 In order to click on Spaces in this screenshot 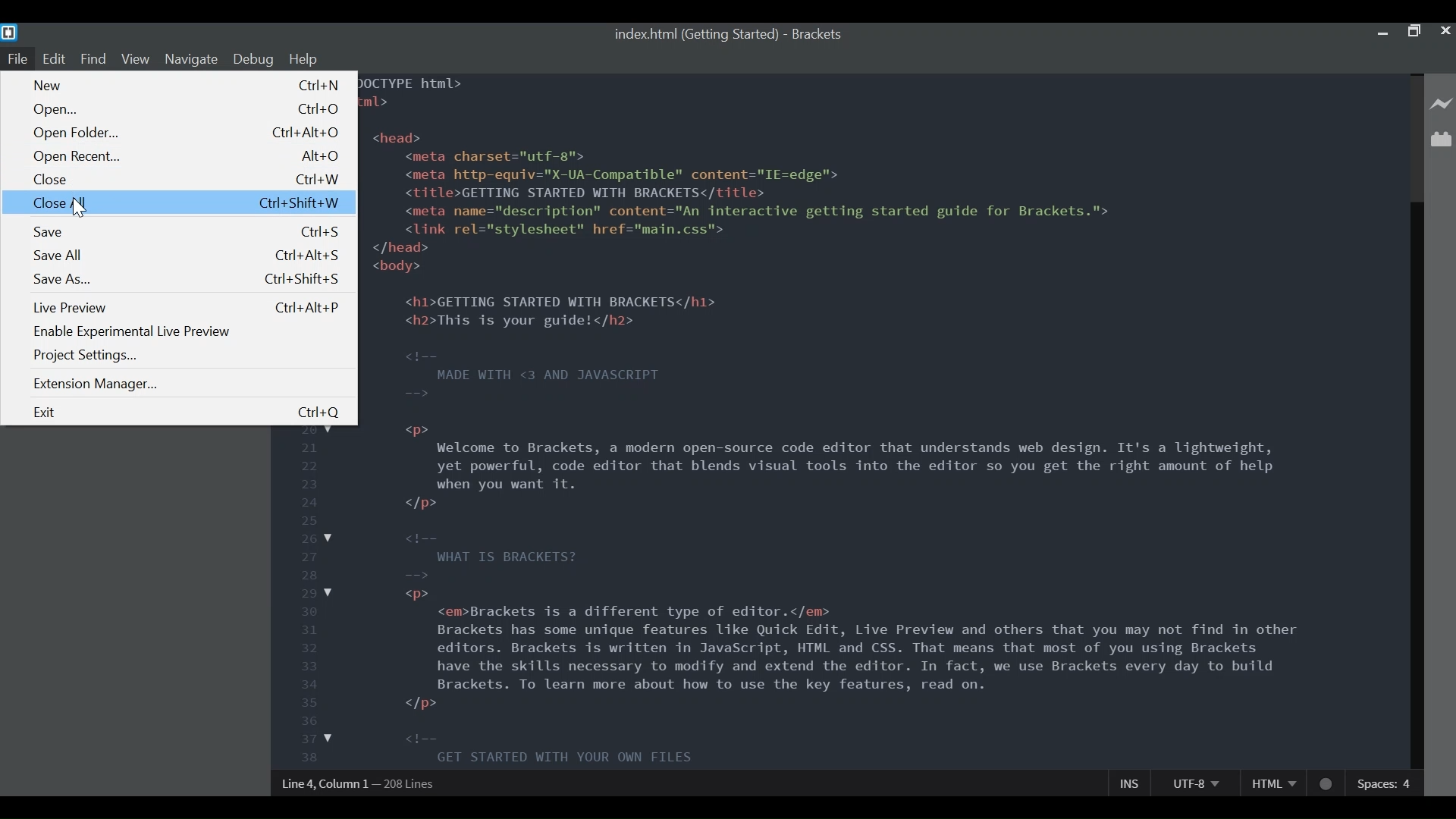, I will do `click(1385, 783)`.